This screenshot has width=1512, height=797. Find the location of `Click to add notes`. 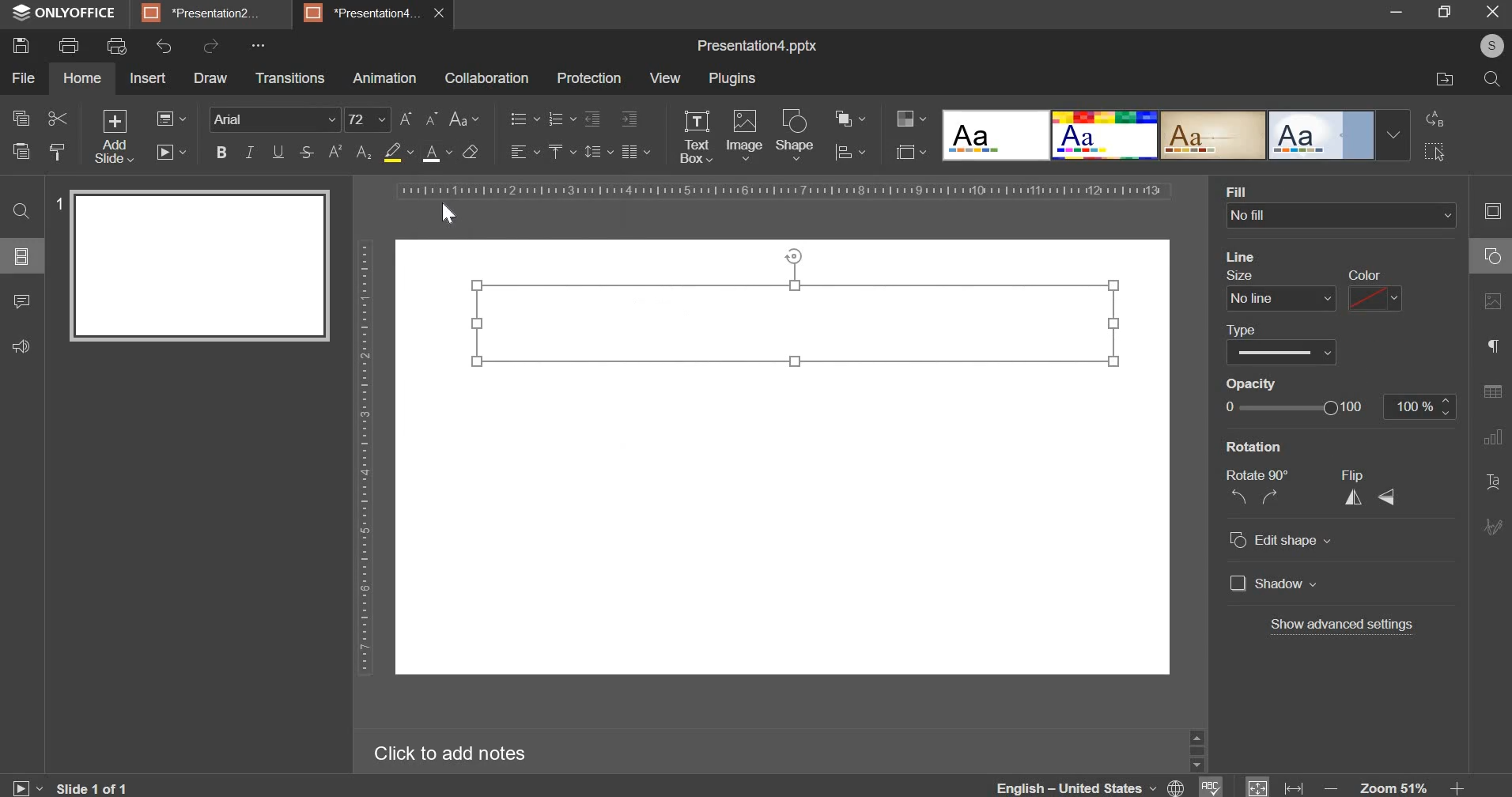

Click to add notes is located at coordinates (462, 752).